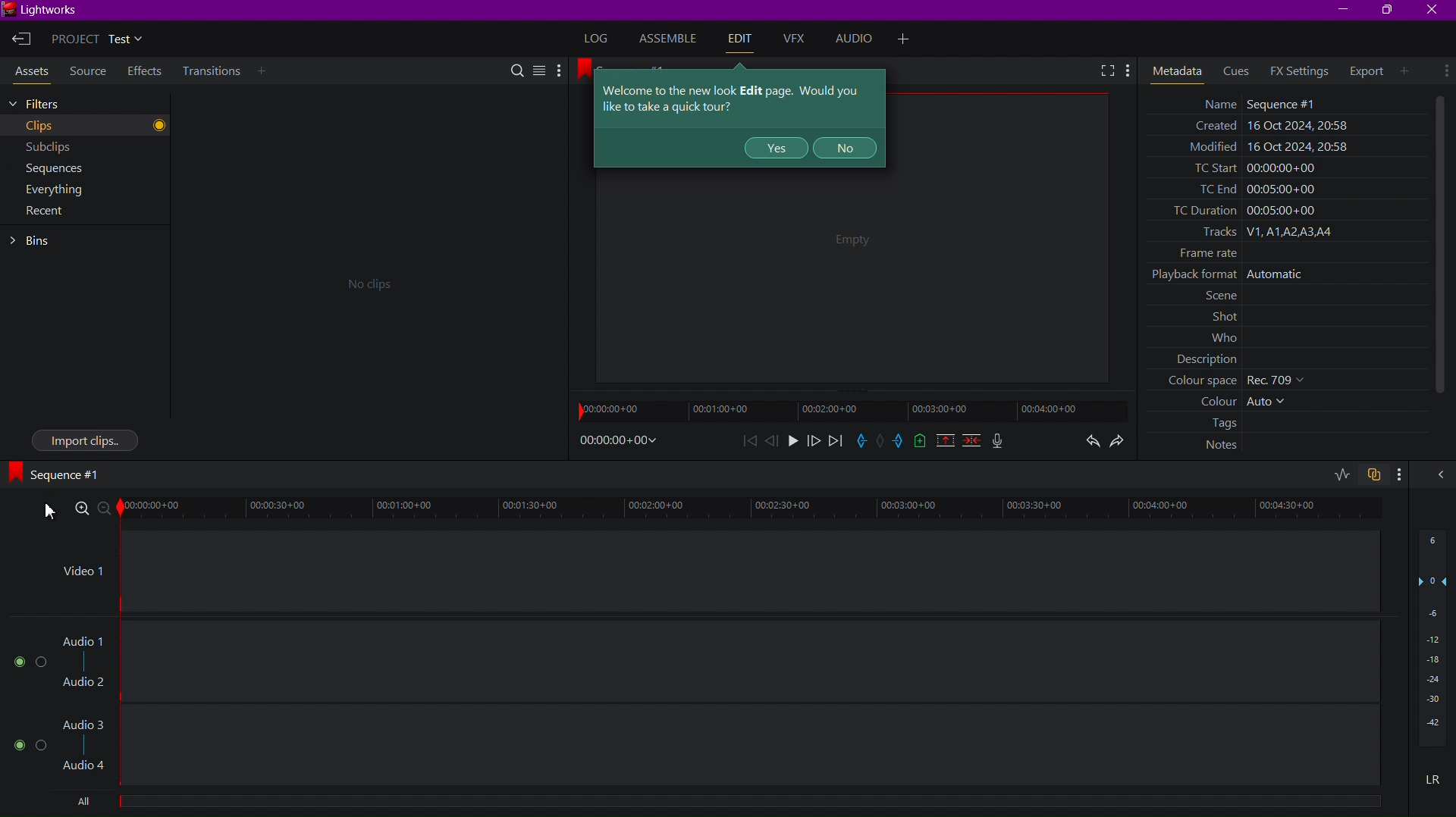 The height and width of the screenshot is (817, 1456). I want to click on Buttons, so click(33, 661).